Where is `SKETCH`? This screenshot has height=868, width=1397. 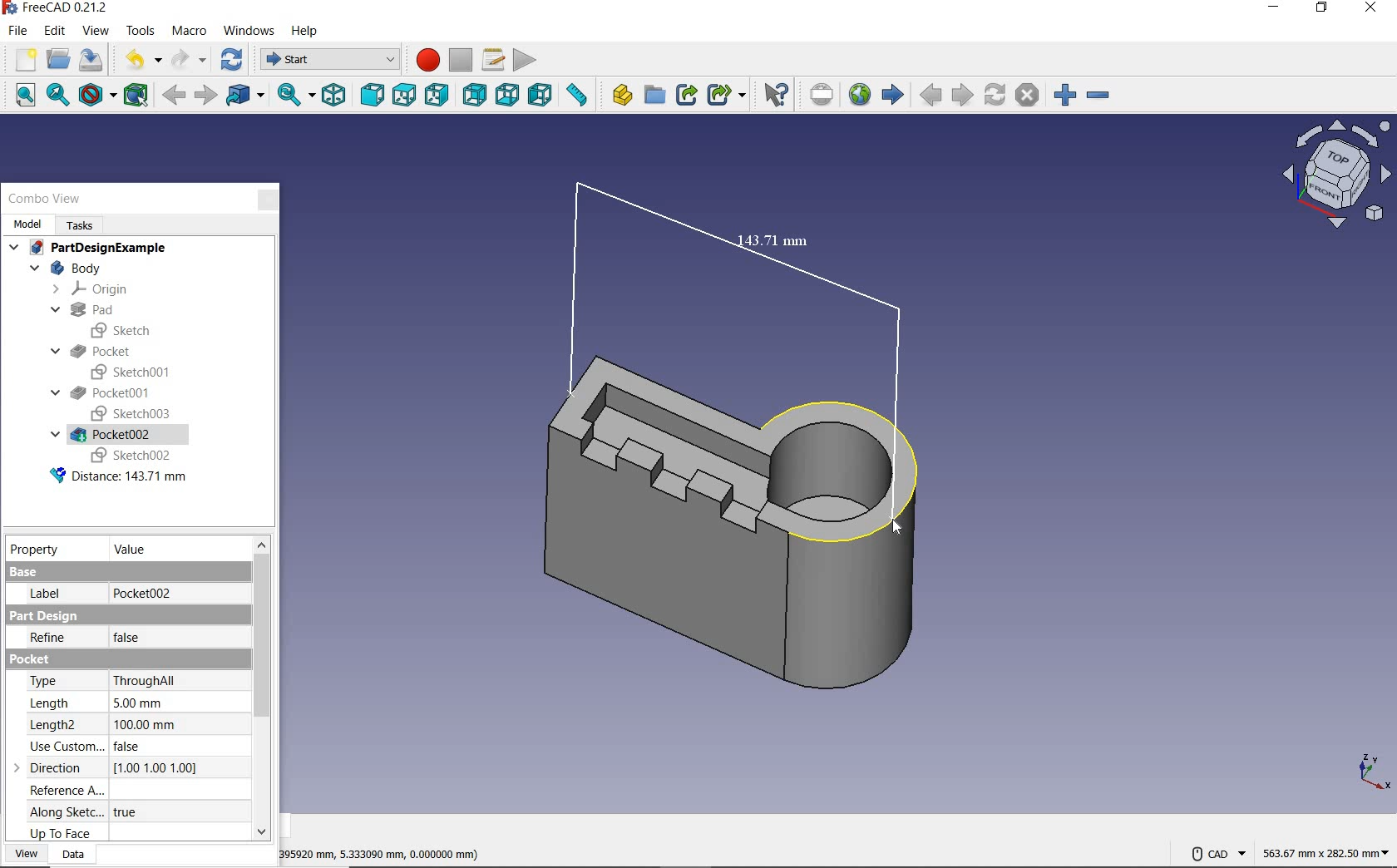
SKETCH is located at coordinates (124, 330).